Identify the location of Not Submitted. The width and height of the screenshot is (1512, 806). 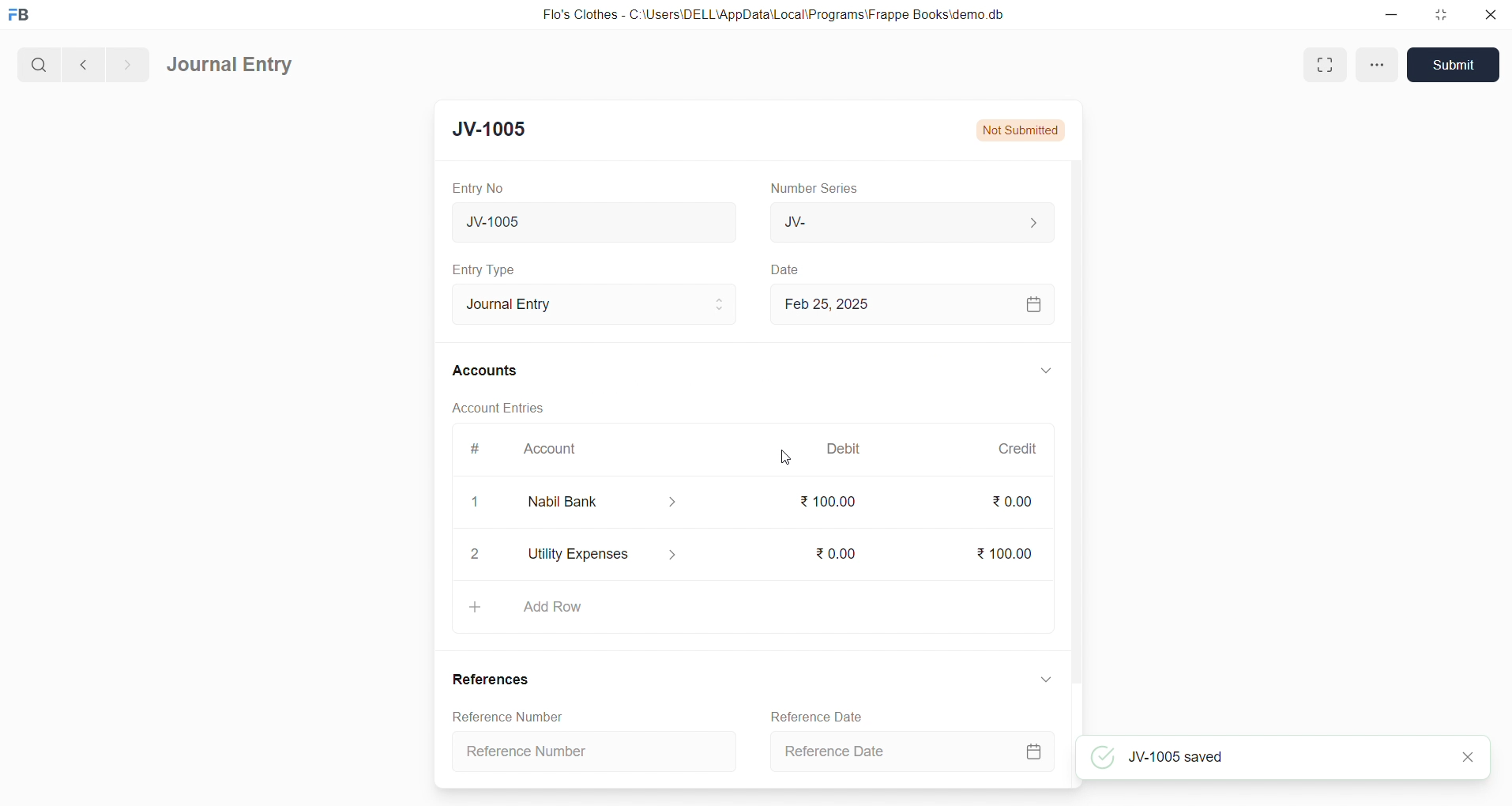
(1025, 129).